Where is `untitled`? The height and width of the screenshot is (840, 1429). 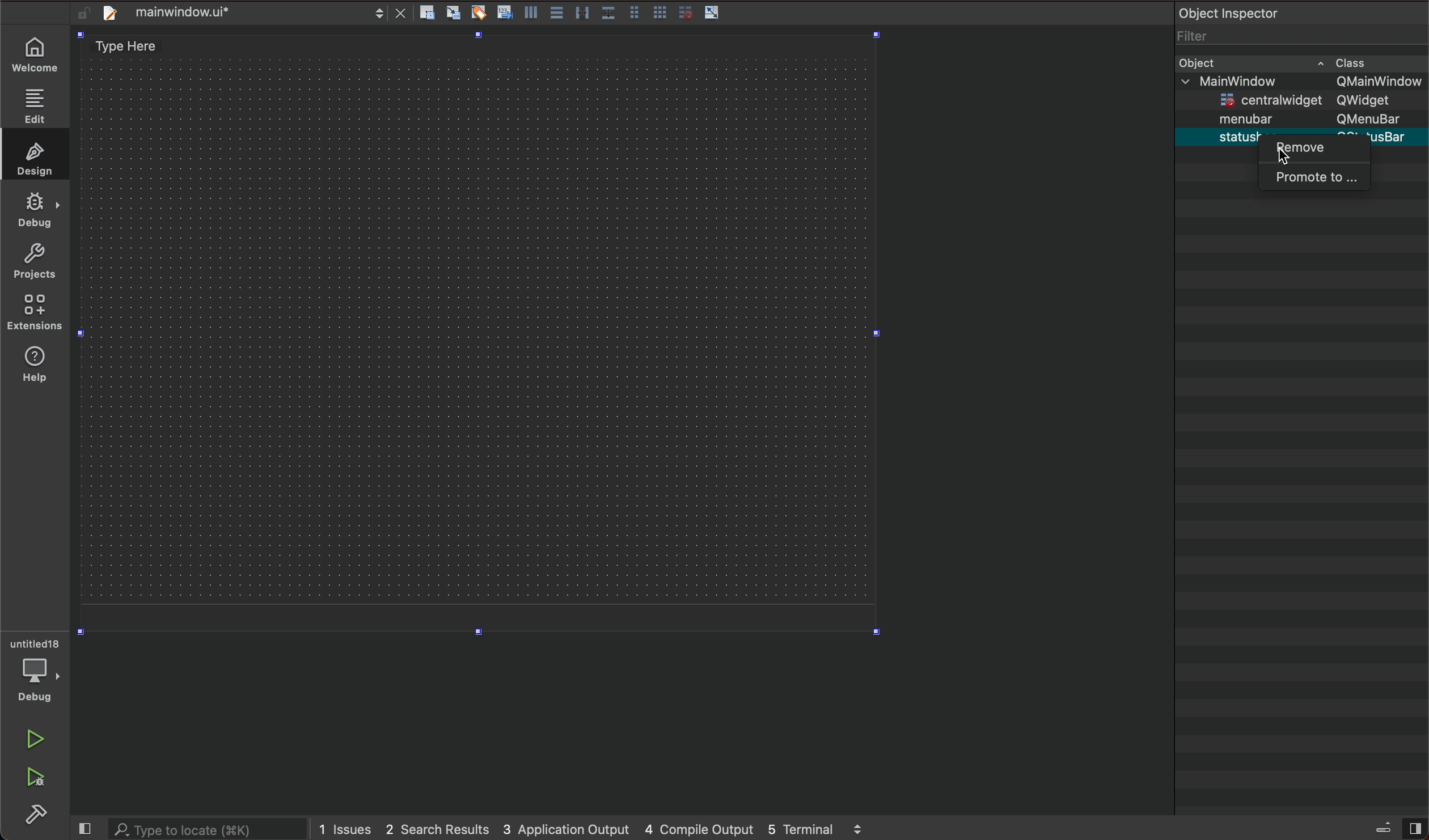
untitled is located at coordinates (34, 641).